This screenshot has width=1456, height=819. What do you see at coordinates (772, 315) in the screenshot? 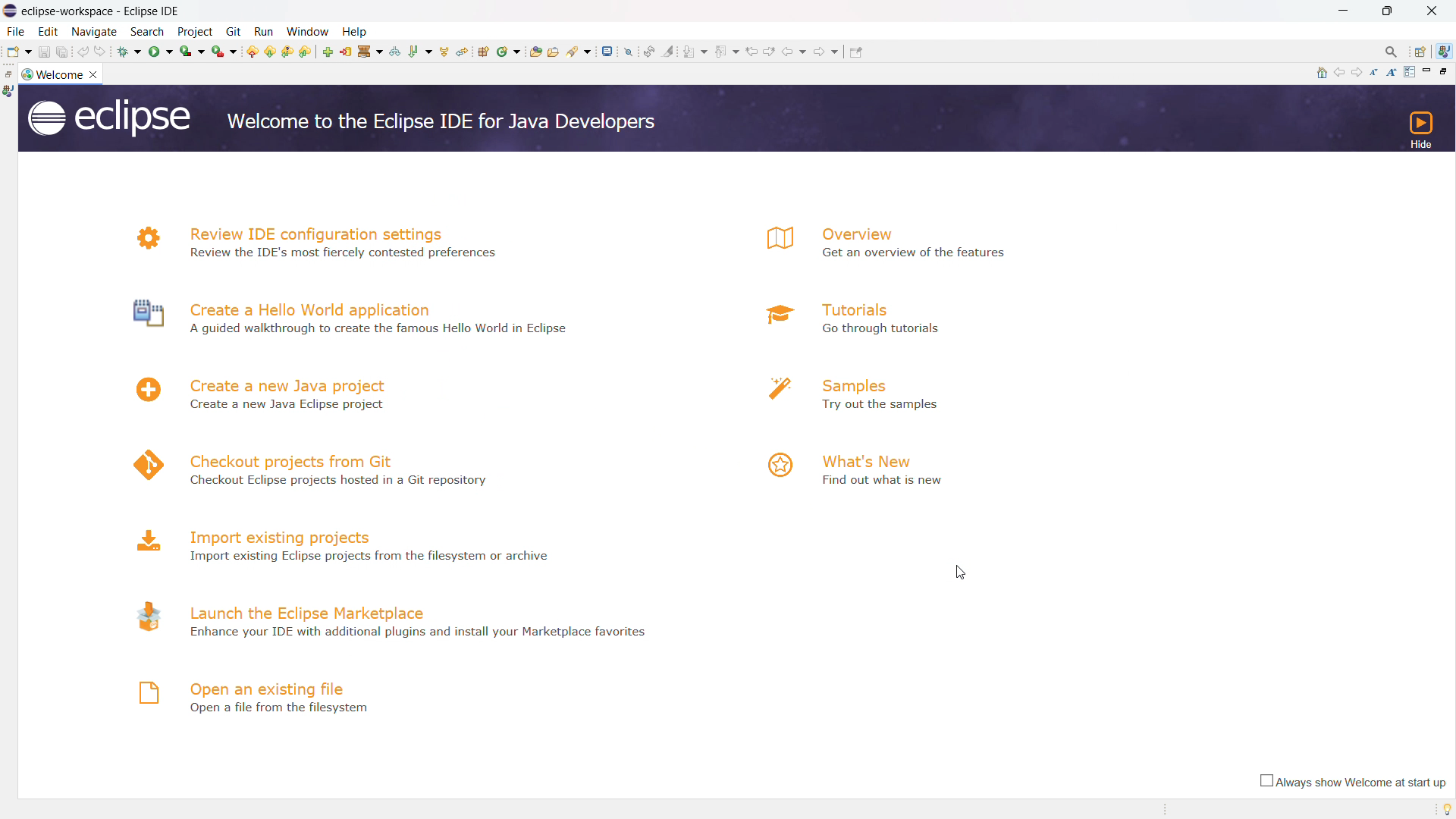
I see `logo` at bounding box center [772, 315].